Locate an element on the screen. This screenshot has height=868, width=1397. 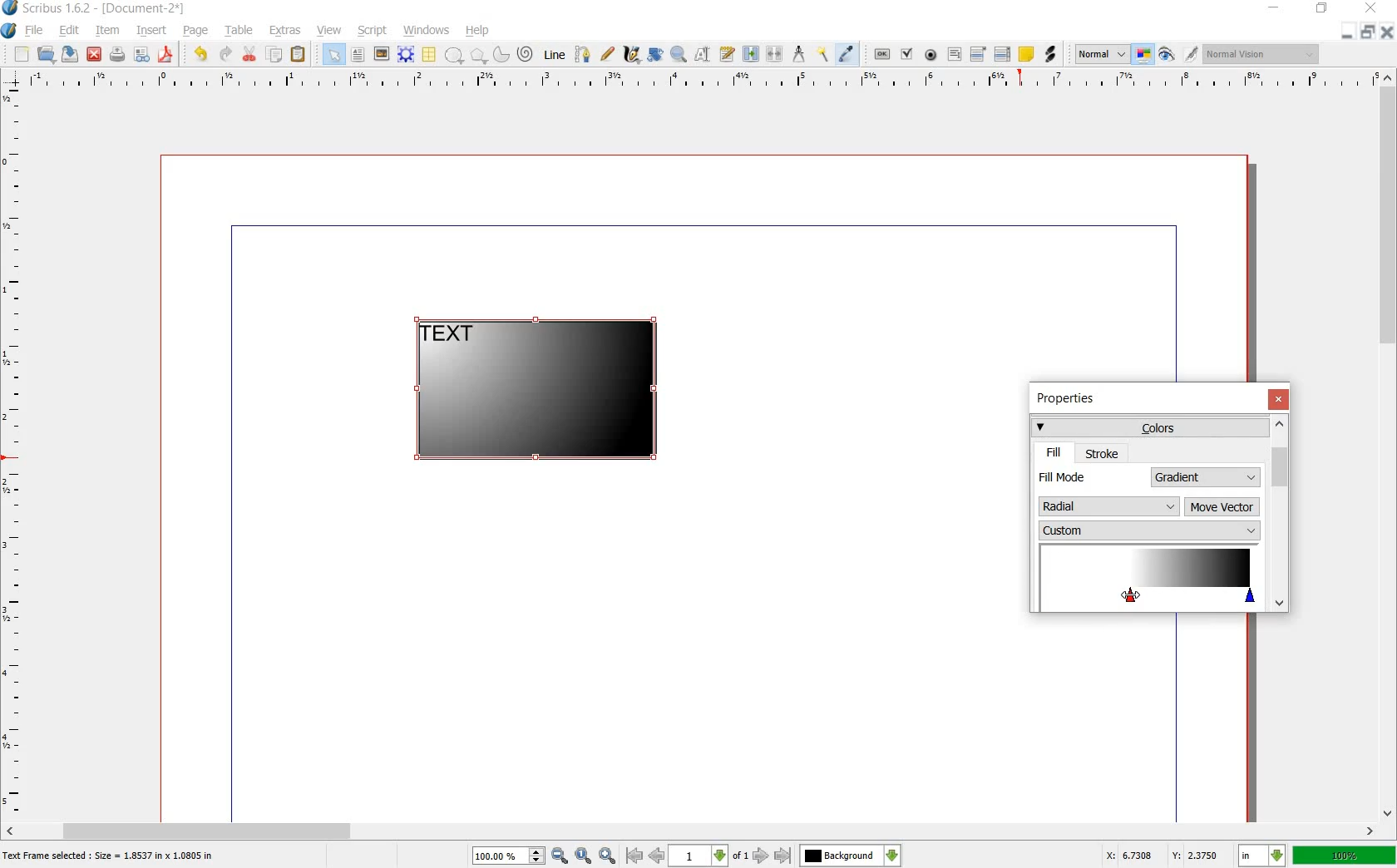
stroke is located at coordinates (1103, 453).